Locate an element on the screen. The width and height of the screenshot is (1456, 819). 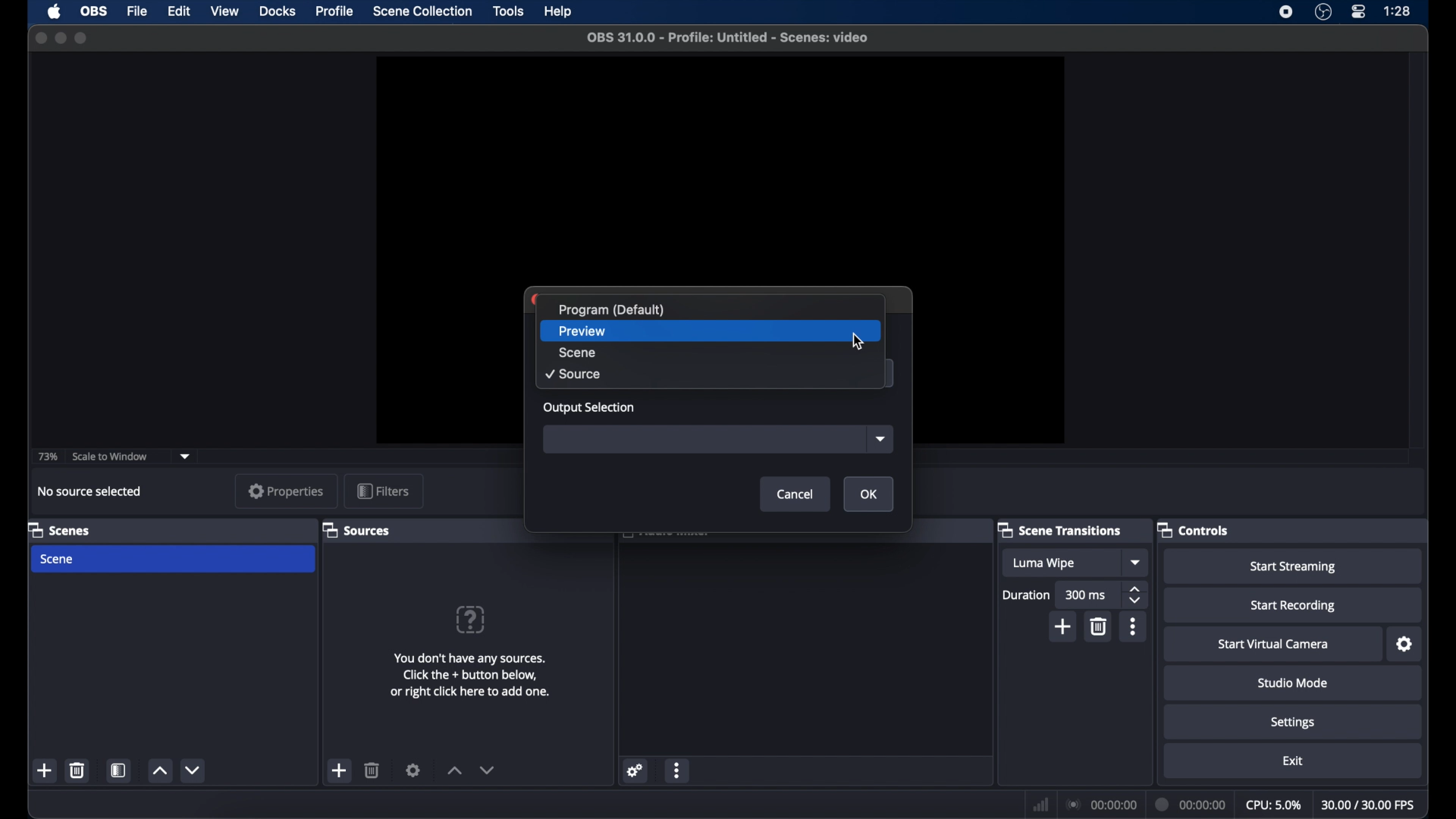
preview is located at coordinates (720, 168).